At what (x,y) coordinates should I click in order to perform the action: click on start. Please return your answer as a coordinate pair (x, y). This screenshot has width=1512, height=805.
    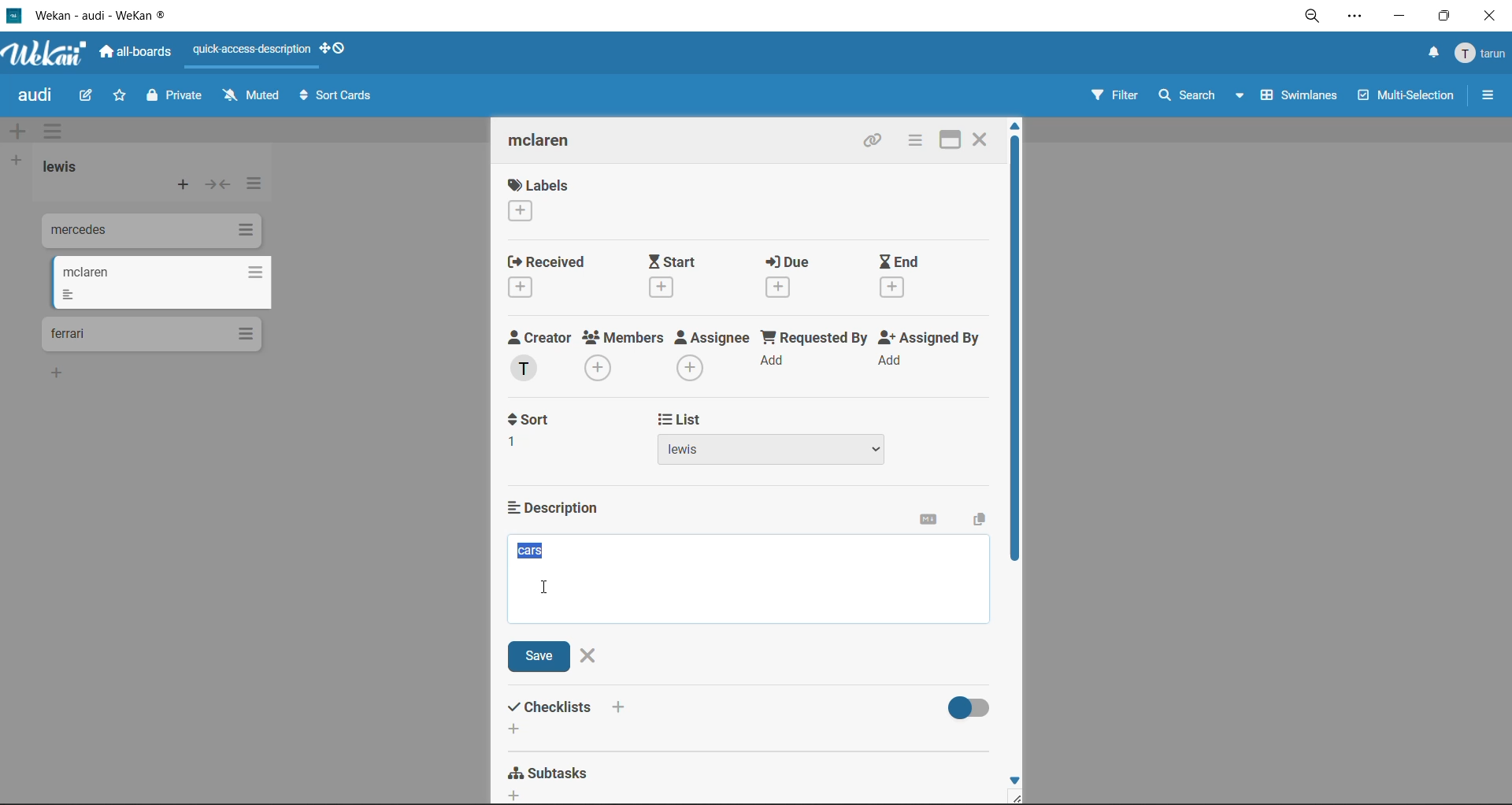
    Looking at the image, I should click on (678, 276).